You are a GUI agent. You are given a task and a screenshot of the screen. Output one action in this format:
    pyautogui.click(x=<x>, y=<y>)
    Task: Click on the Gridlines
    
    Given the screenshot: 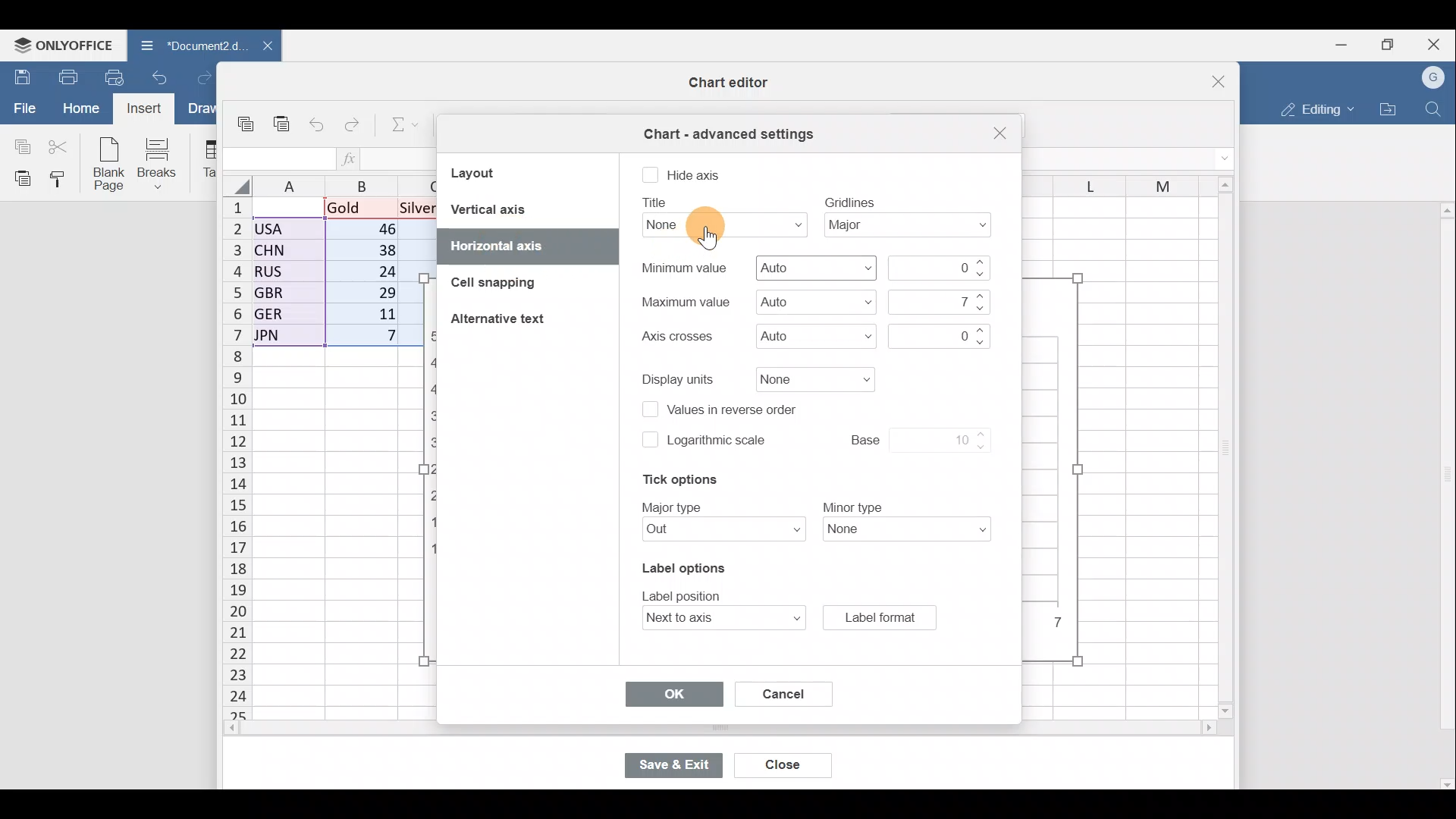 What is the action you would take?
    pyautogui.click(x=914, y=225)
    